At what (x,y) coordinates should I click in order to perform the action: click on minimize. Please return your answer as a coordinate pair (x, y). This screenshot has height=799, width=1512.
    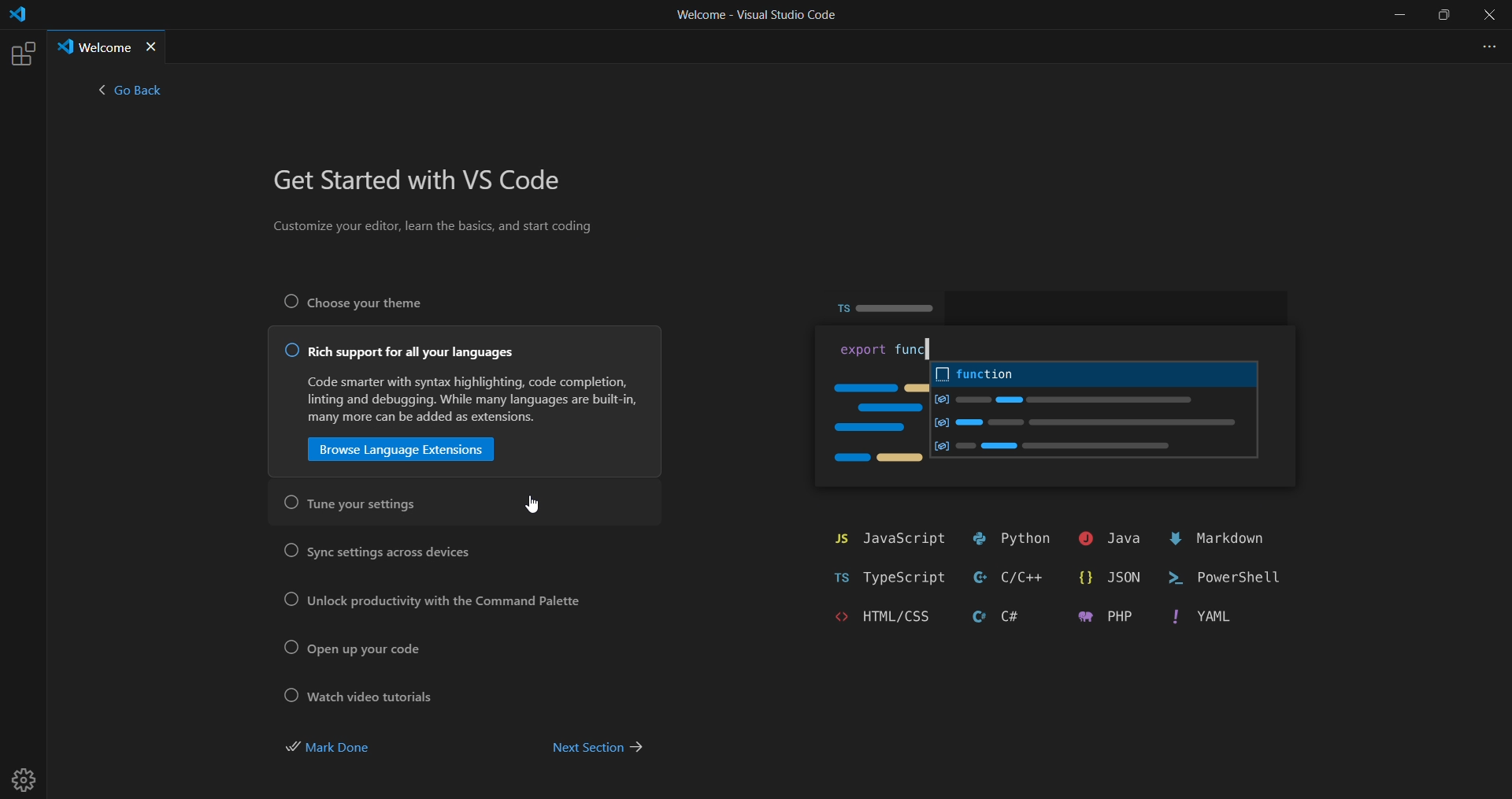
    Looking at the image, I should click on (1398, 15).